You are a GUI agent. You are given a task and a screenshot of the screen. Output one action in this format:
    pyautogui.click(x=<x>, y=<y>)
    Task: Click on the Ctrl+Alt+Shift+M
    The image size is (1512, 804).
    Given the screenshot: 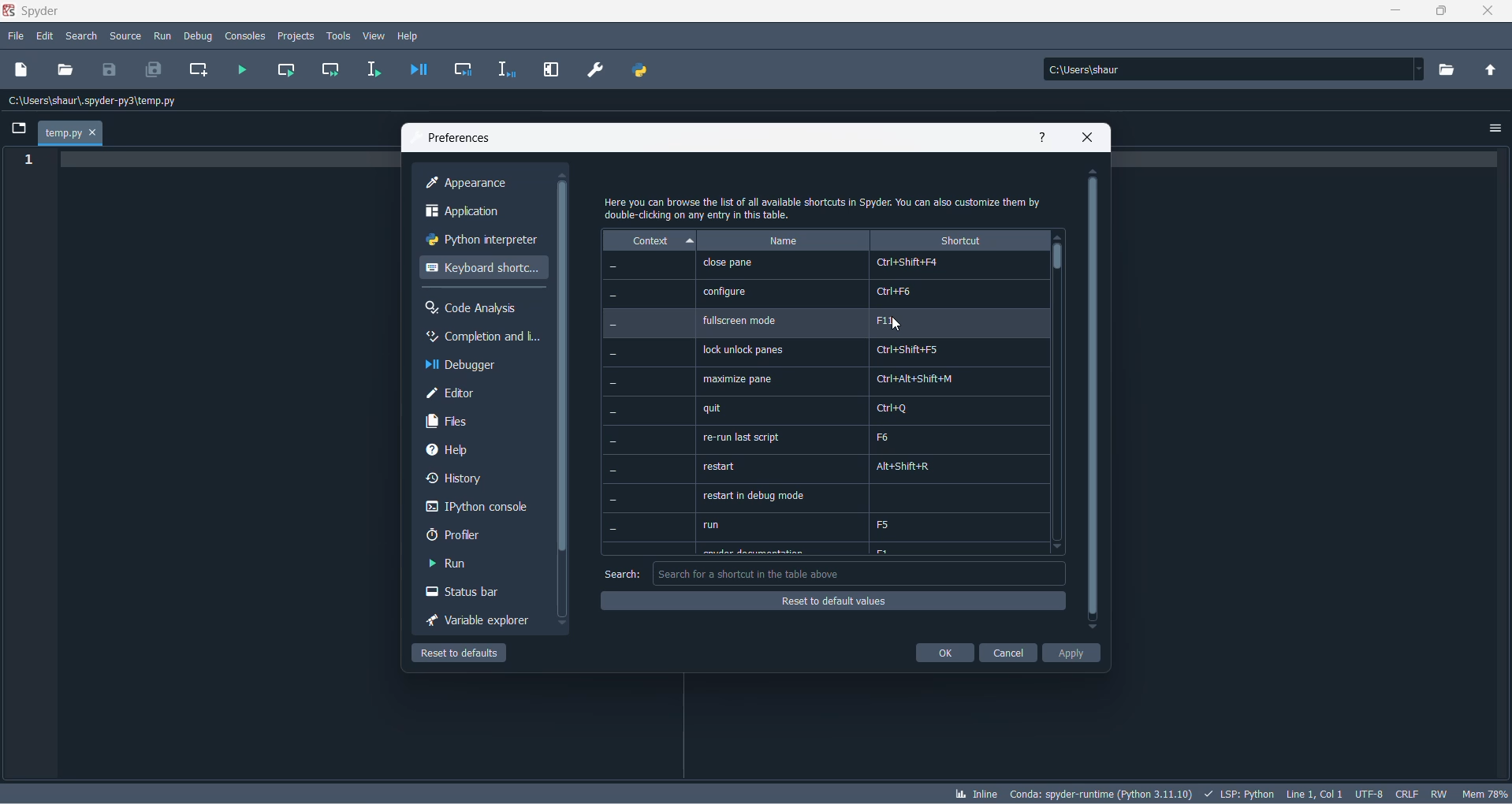 What is the action you would take?
    pyautogui.click(x=915, y=379)
    